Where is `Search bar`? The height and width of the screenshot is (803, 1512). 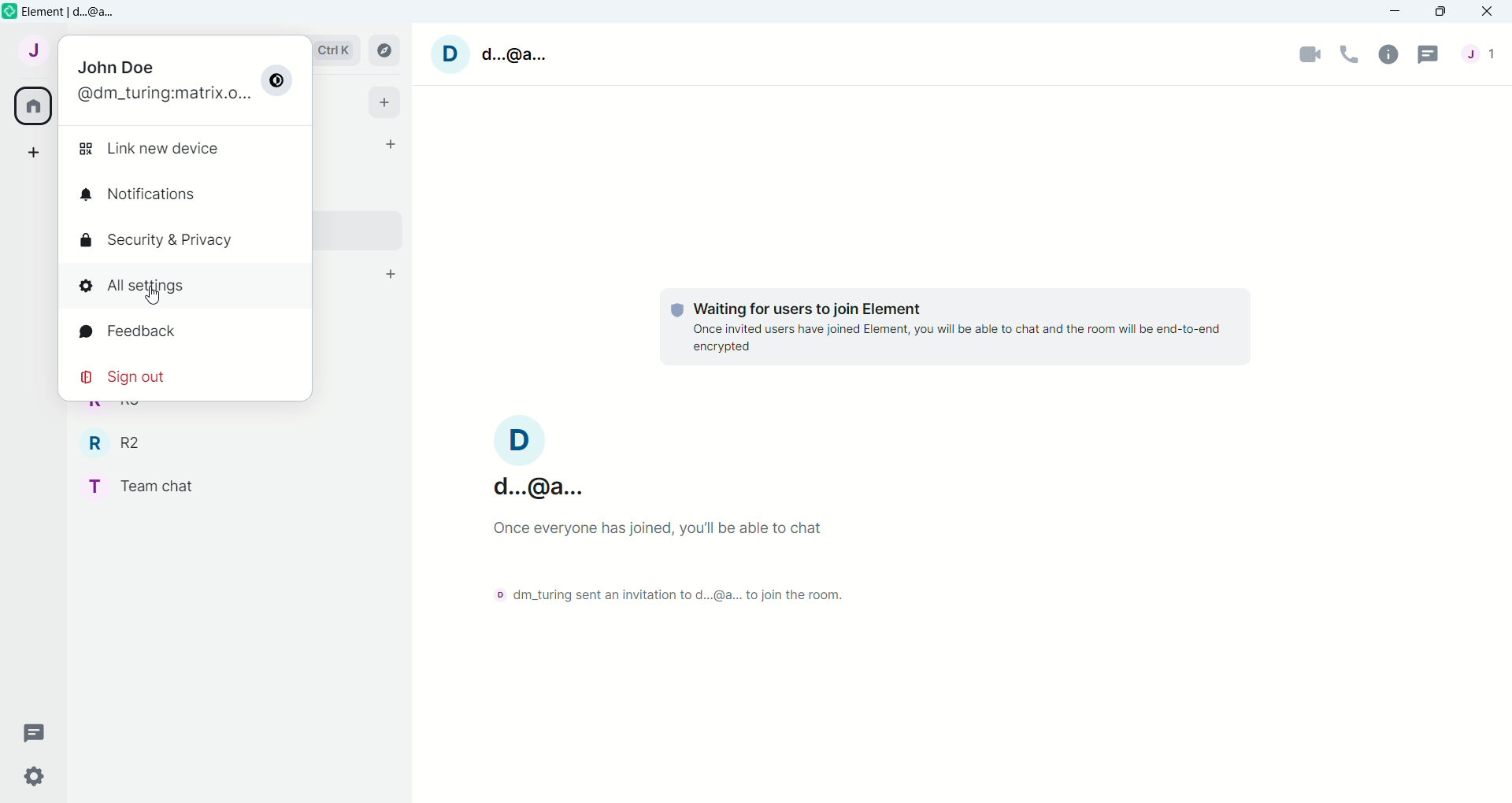 Search bar is located at coordinates (335, 53).